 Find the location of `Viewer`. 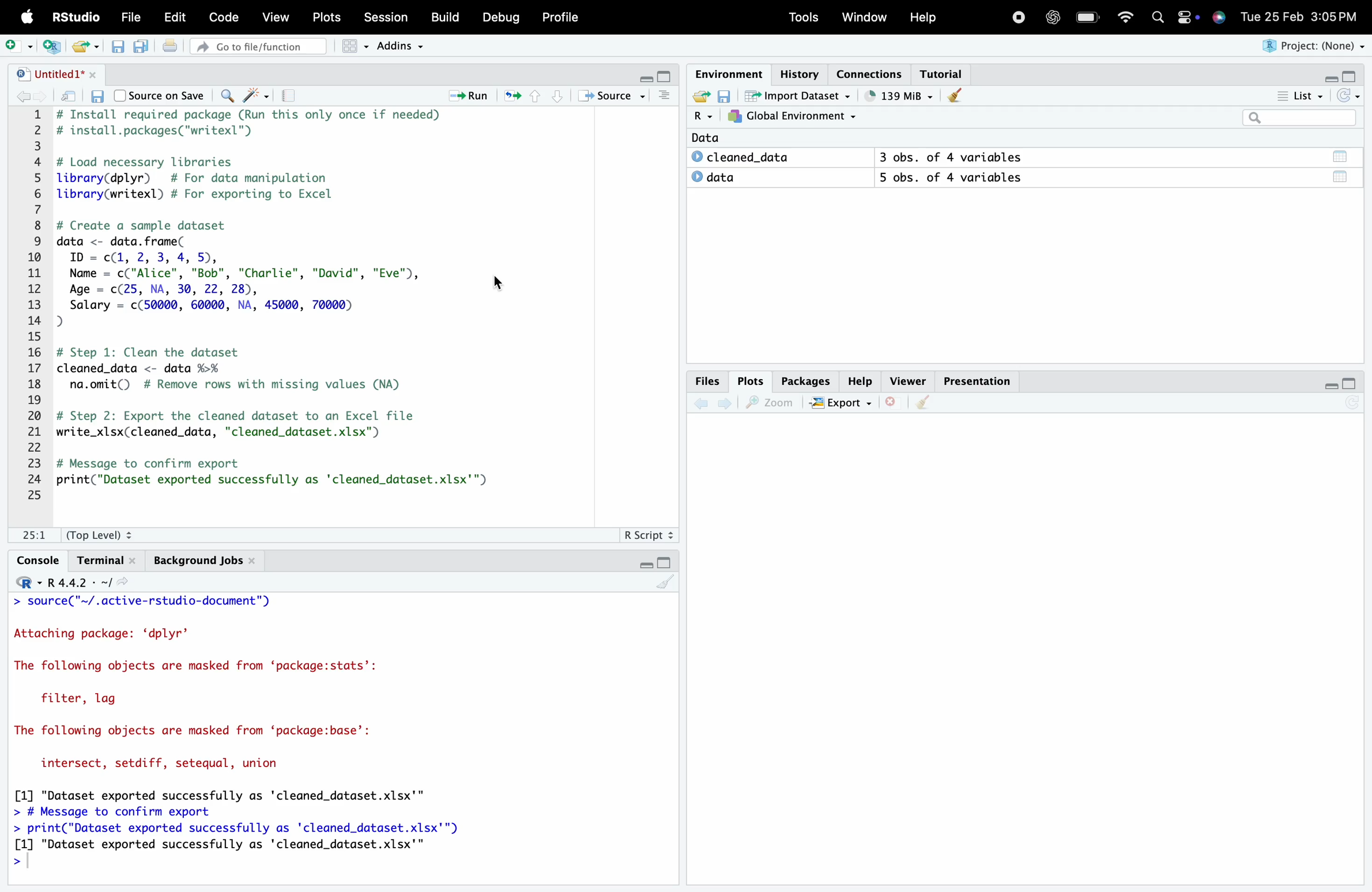

Viewer is located at coordinates (908, 381).